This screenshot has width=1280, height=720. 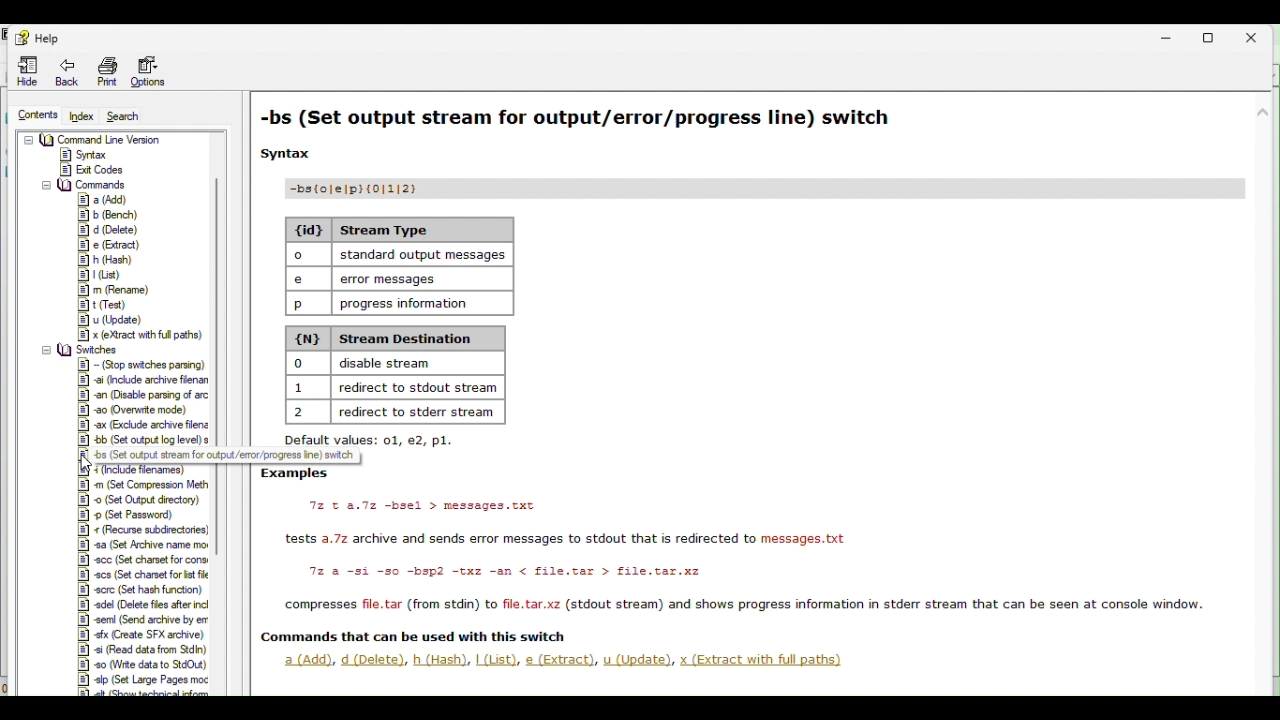 What do you see at coordinates (27, 141) in the screenshot?
I see `collapse` at bounding box center [27, 141].